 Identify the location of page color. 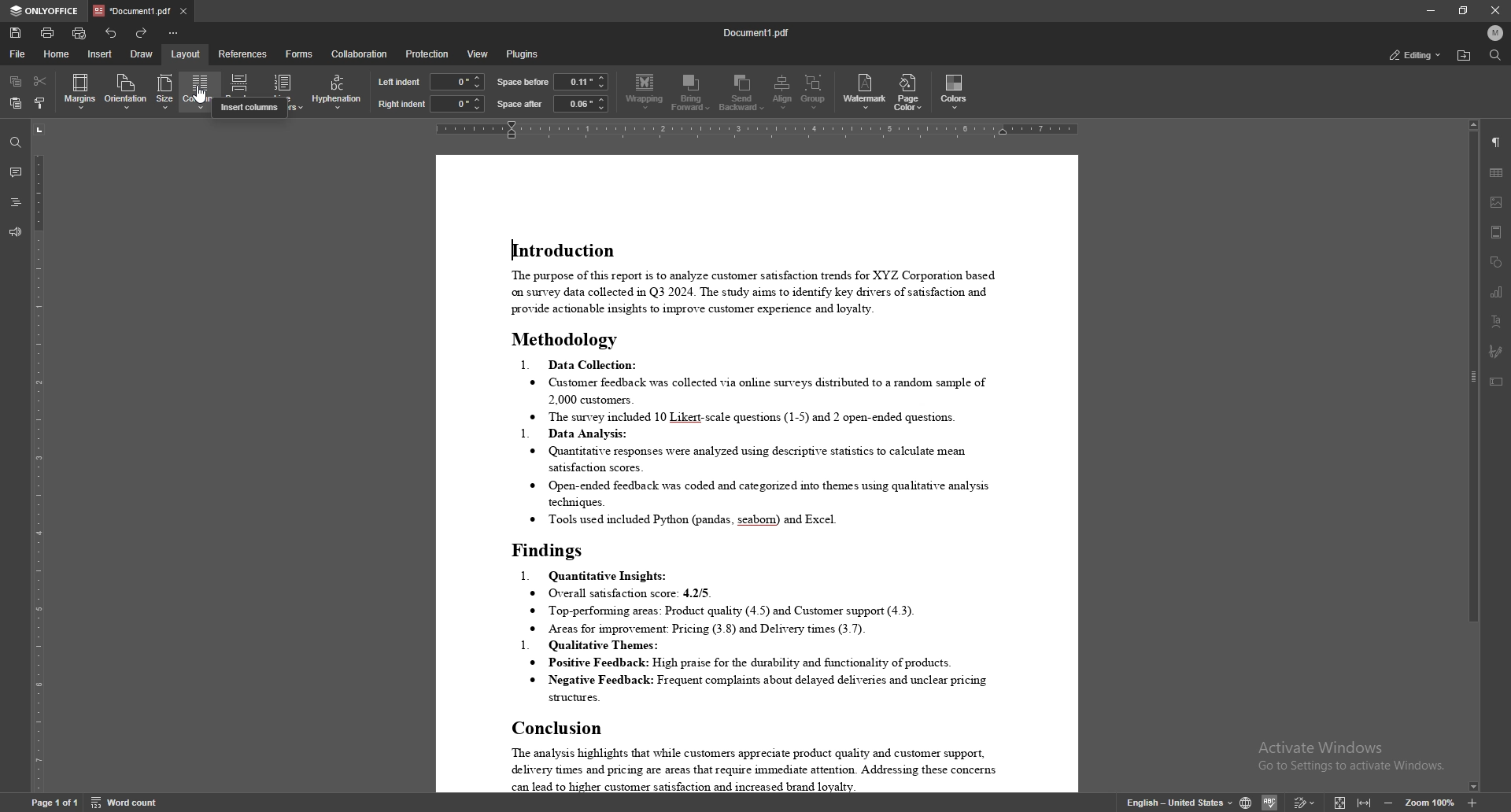
(907, 92).